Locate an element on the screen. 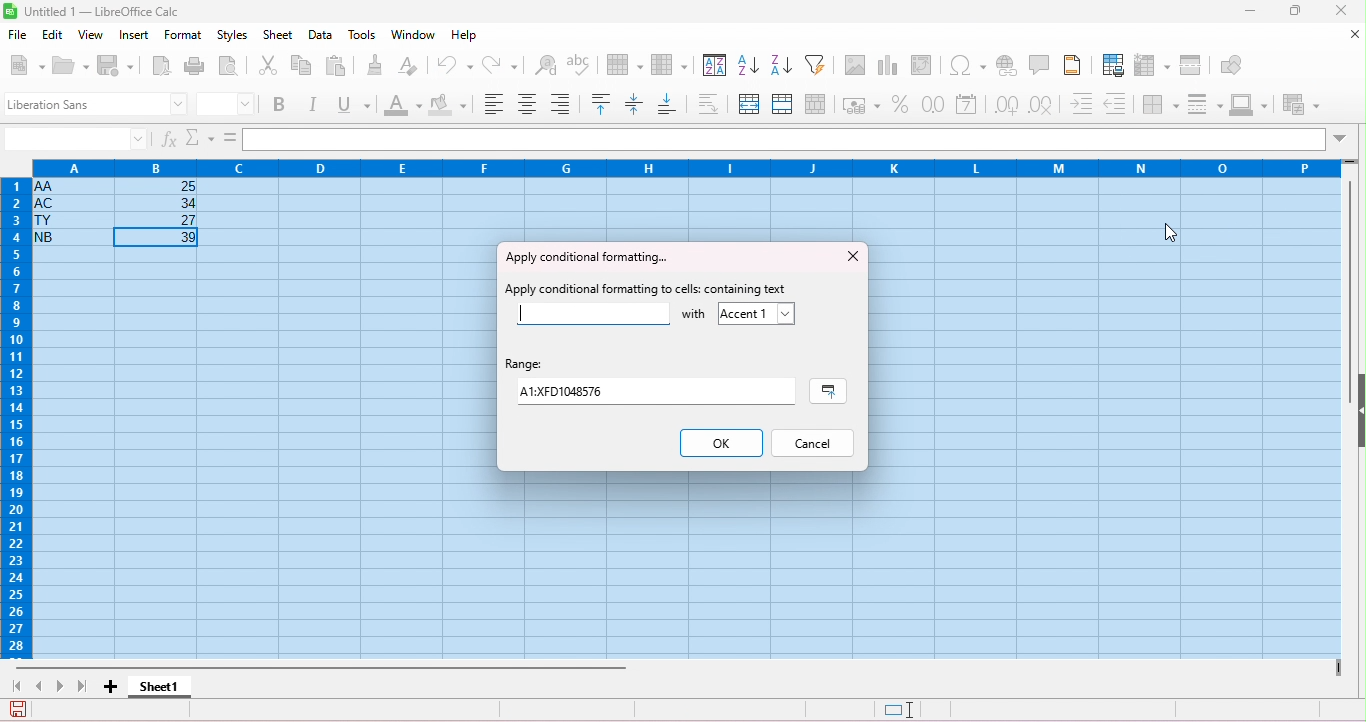  ok is located at coordinates (721, 442).